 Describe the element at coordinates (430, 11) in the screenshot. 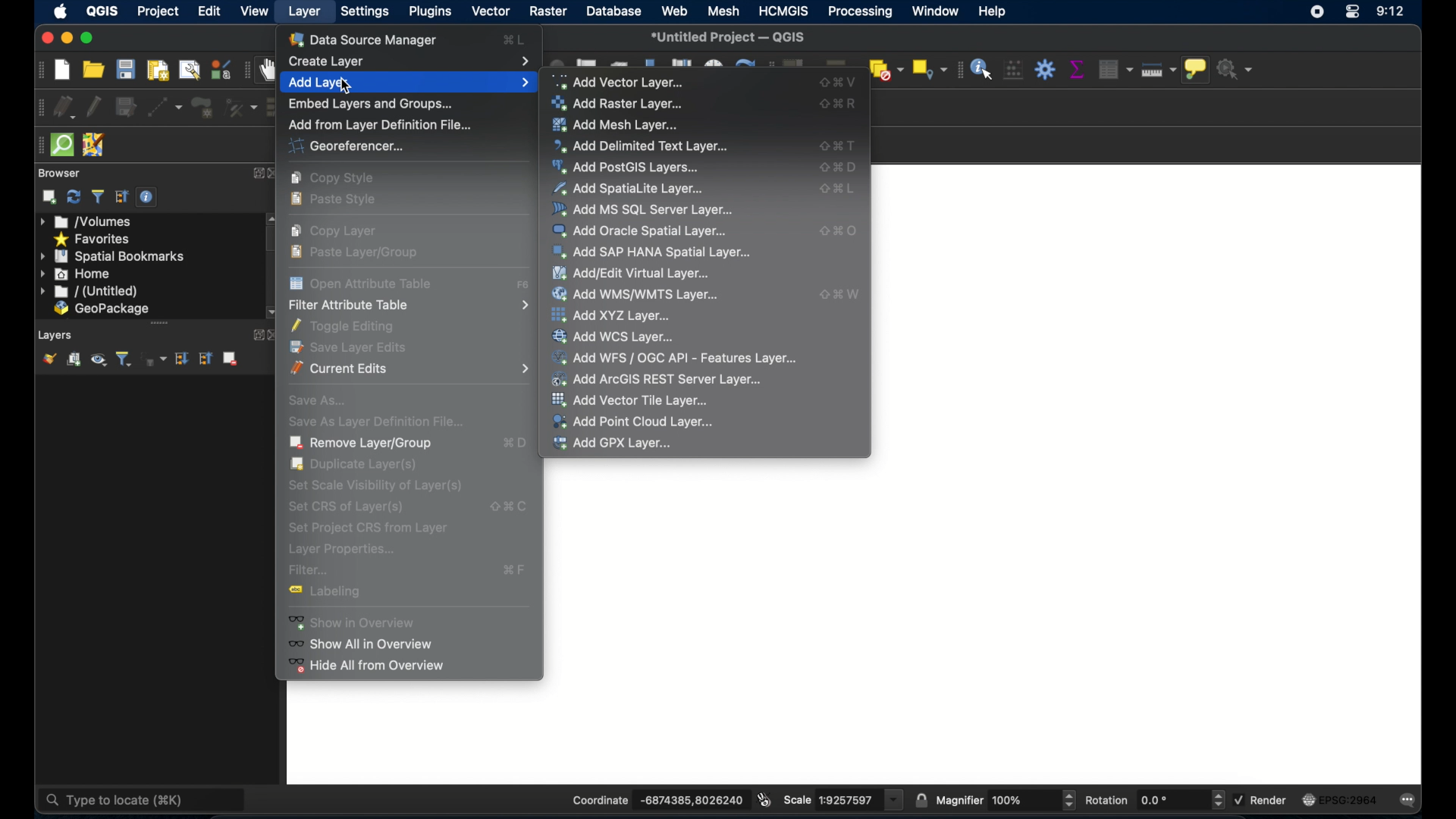

I see `plugins` at that location.